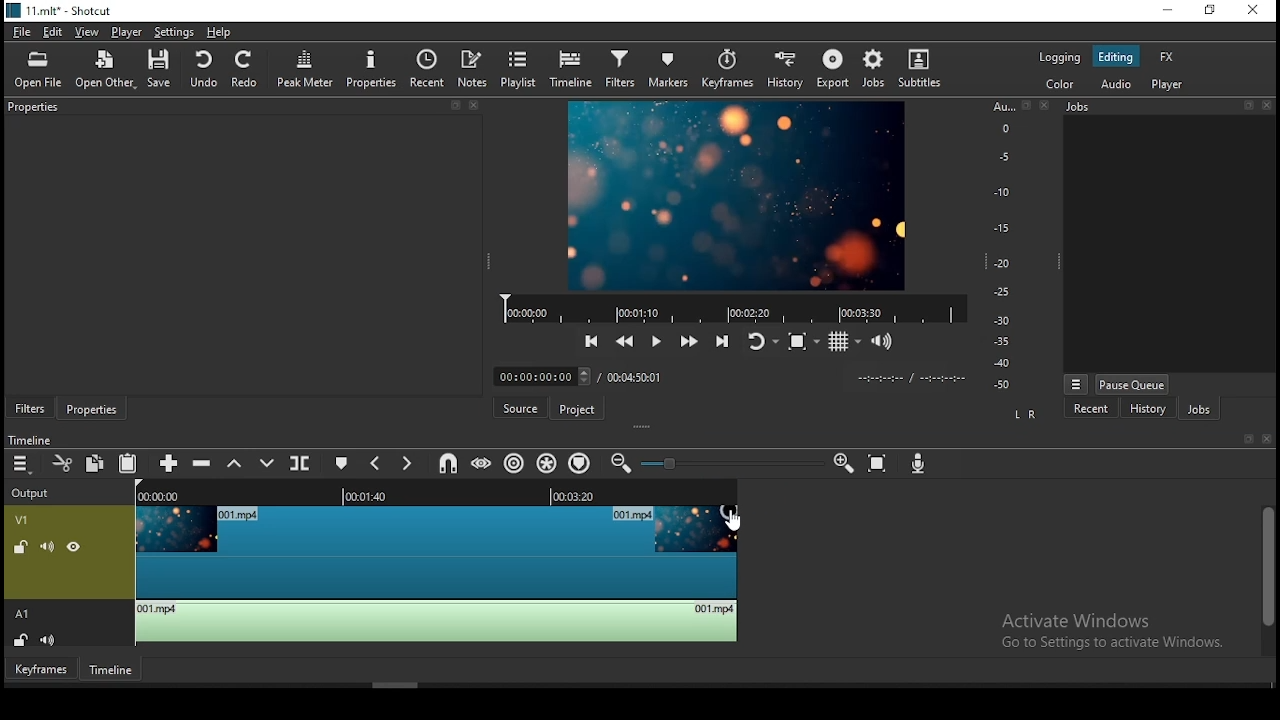  What do you see at coordinates (883, 343) in the screenshot?
I see `show volume control` at bounding box center [883, 343].